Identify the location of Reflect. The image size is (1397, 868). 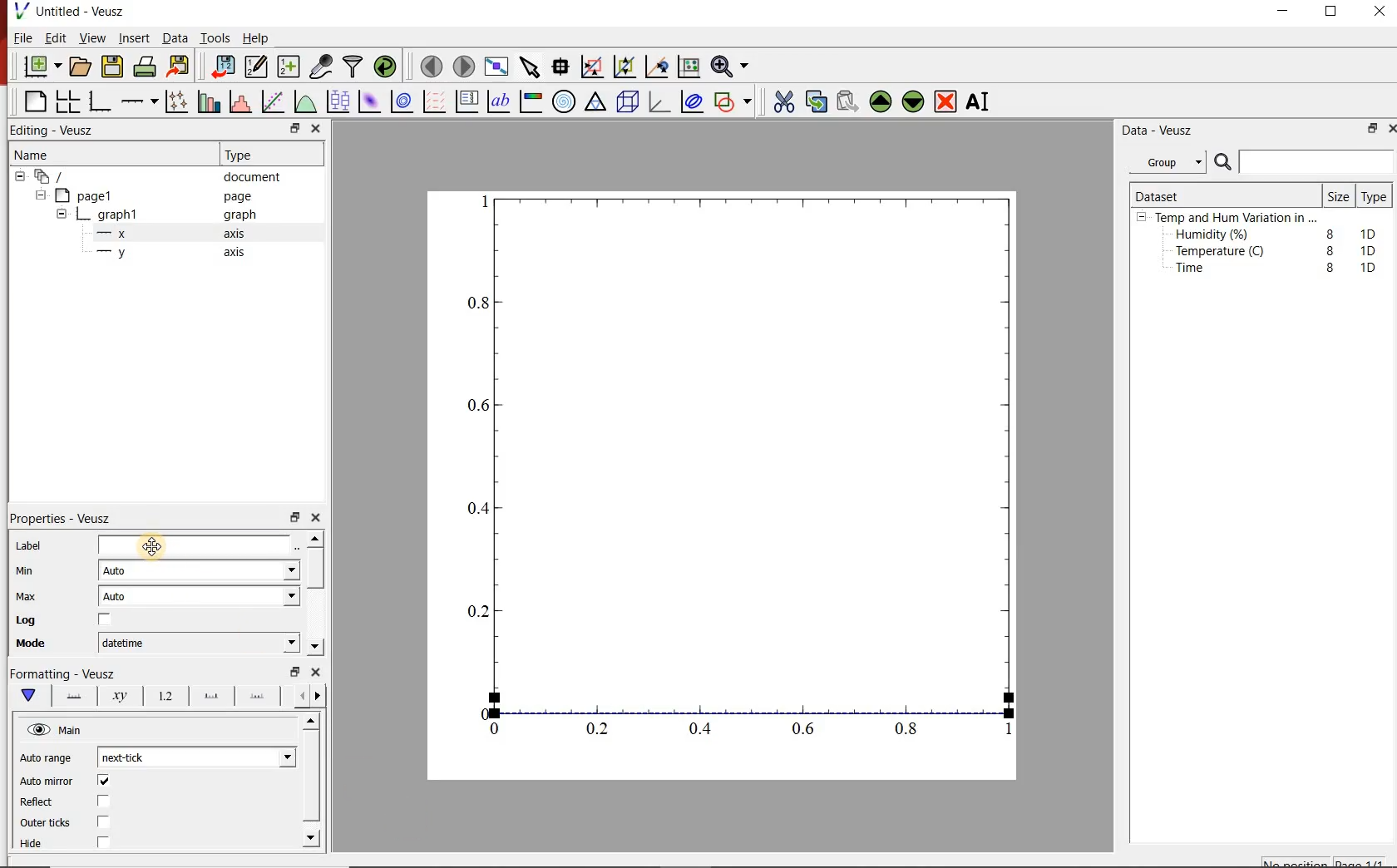
(72, 802).